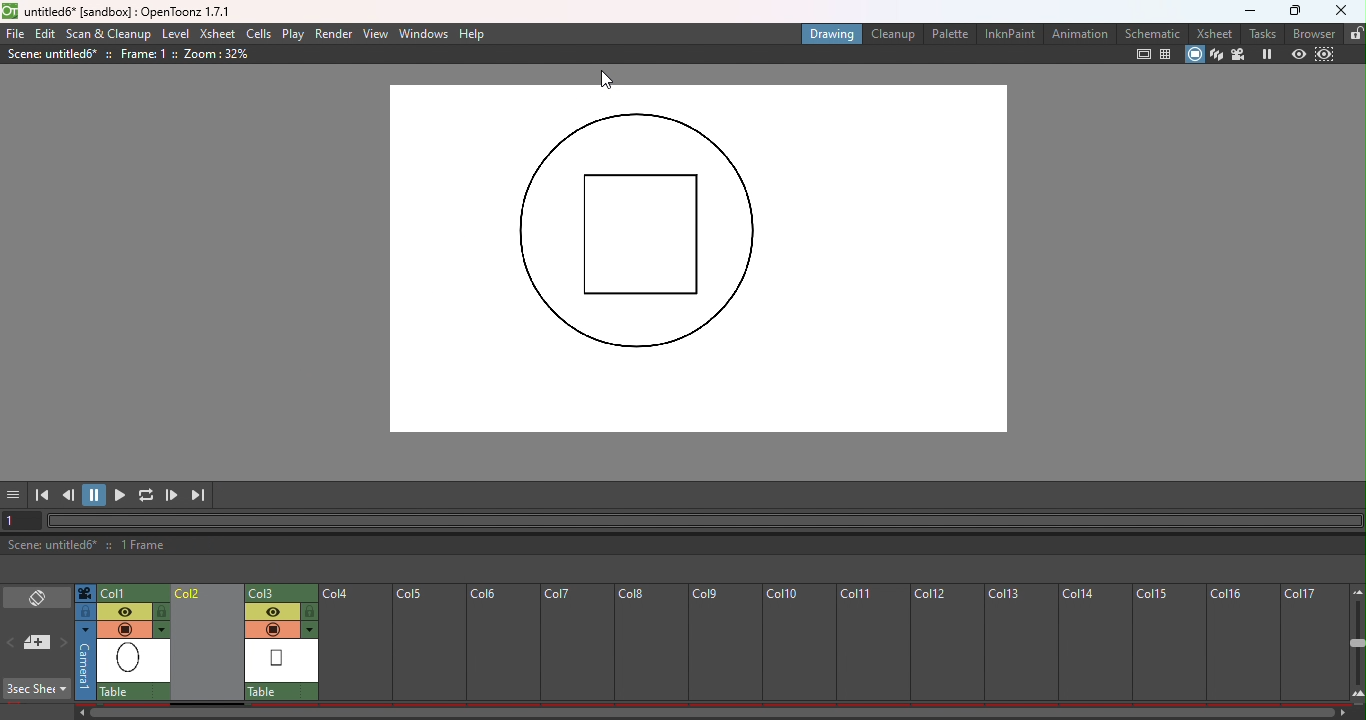 Image resolution: width=1366 pixels, height=720 pixels. What do you see at coordinates (1193, 54) in the screenshot?
I see `Camera stand view` at bounding box center [1193, 54].